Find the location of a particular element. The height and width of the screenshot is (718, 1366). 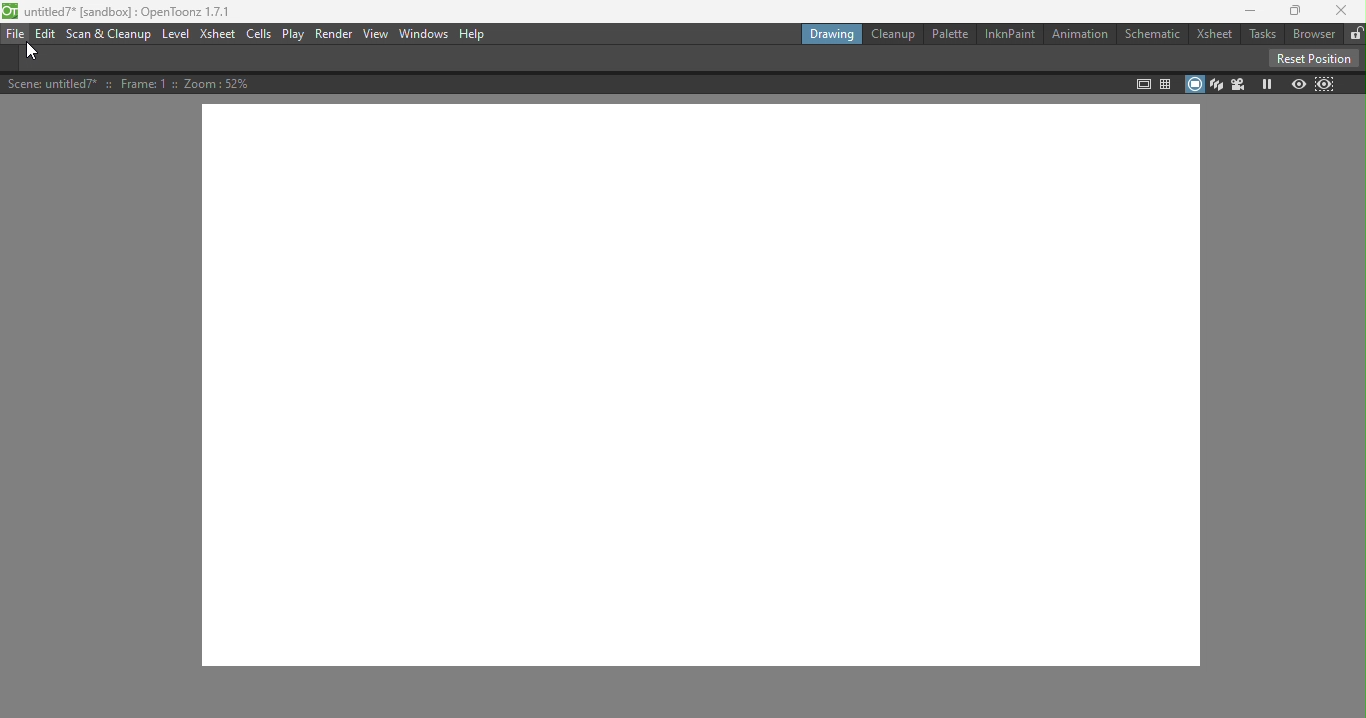

Lock rooms tab is located at coordinates (1355, 34).